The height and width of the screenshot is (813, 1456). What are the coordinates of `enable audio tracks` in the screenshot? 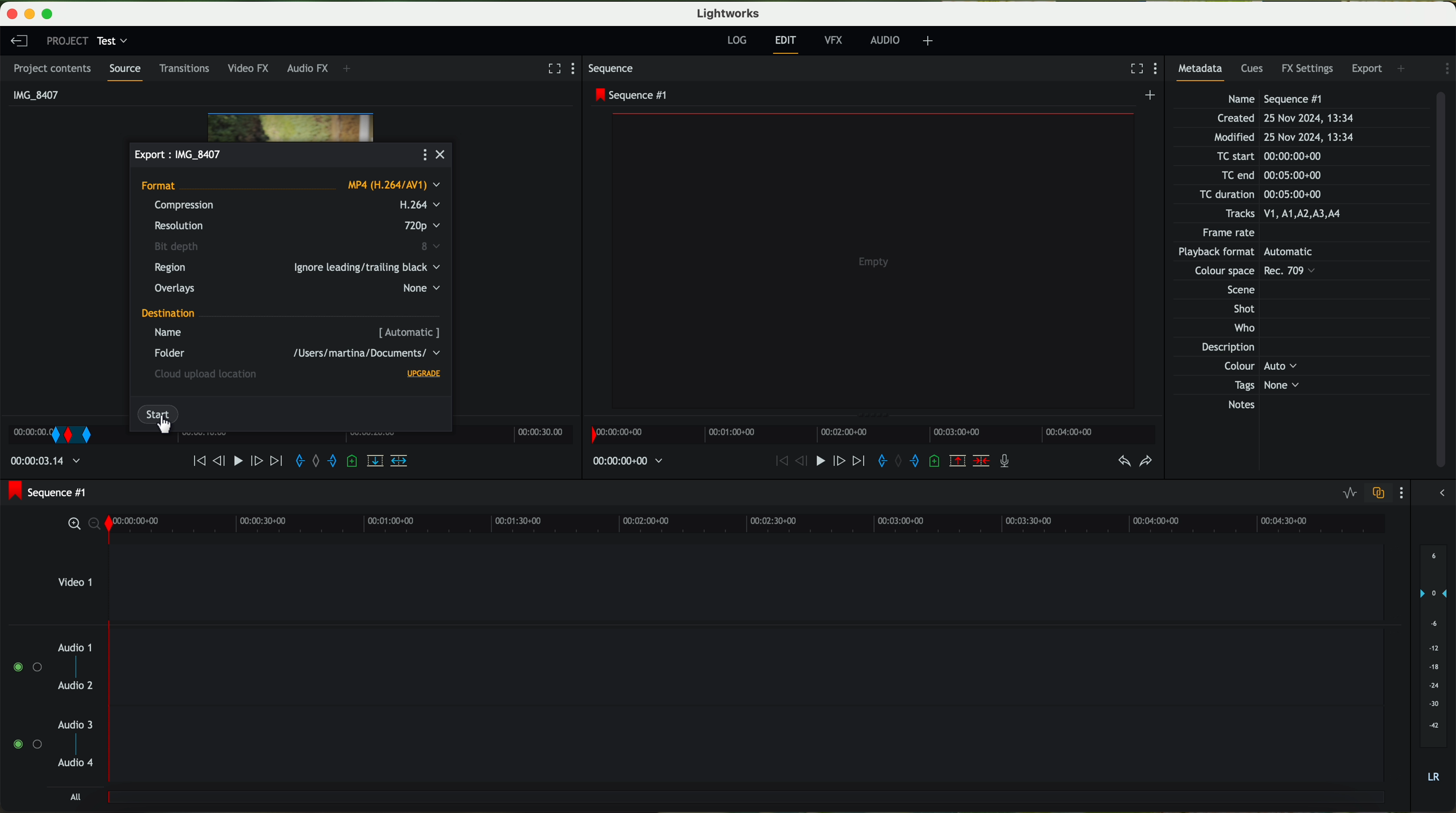 It's located at (25, 706).